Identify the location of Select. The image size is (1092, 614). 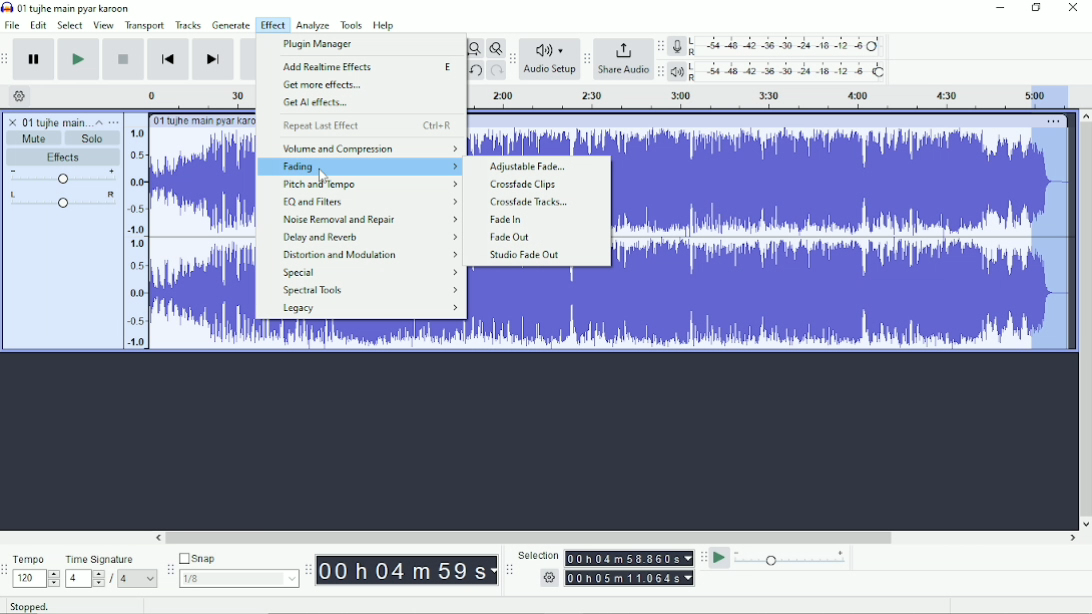
(71, 26).